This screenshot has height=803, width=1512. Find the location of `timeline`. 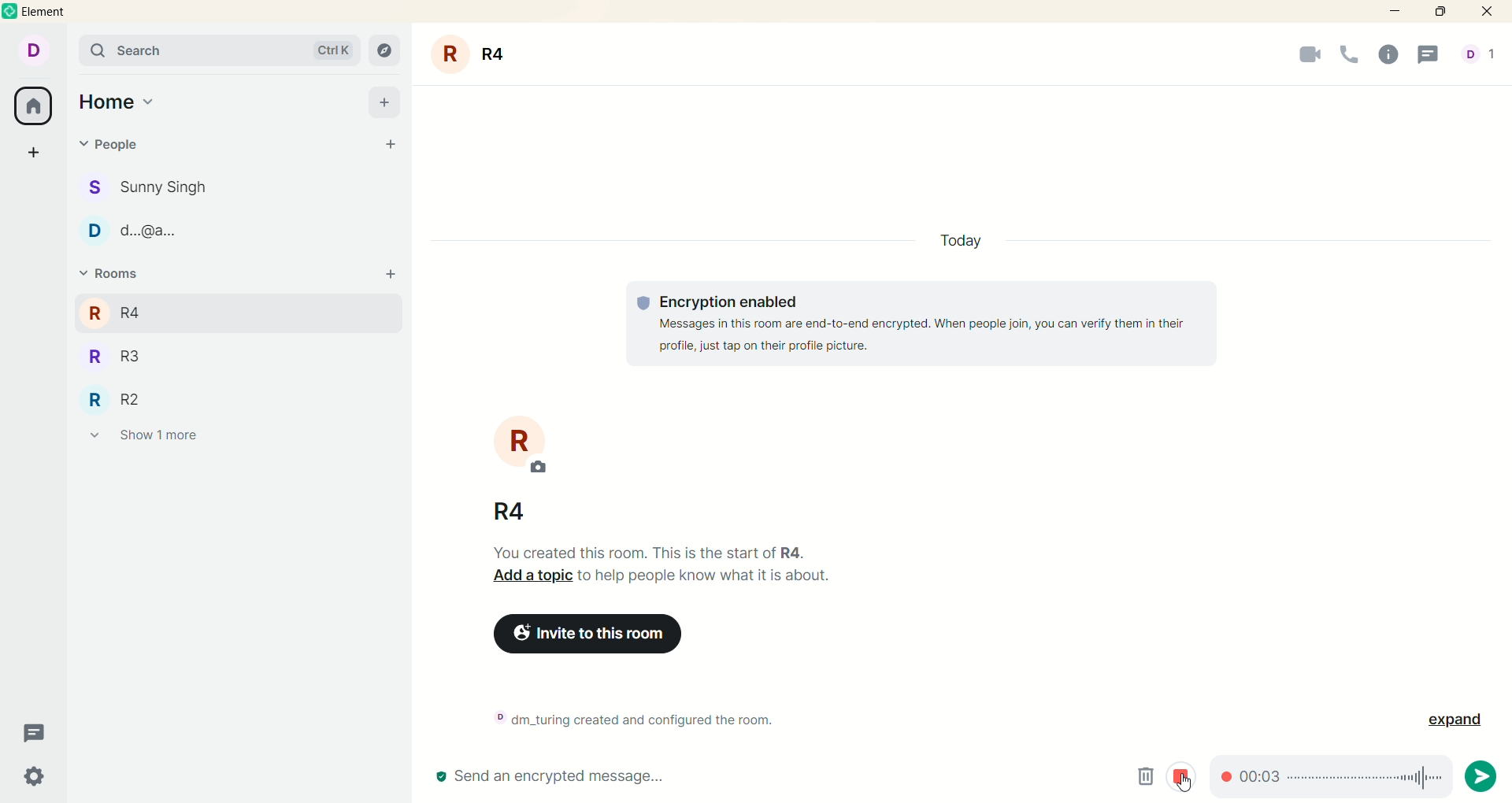

timeline is located at coordinates (1335, 779).